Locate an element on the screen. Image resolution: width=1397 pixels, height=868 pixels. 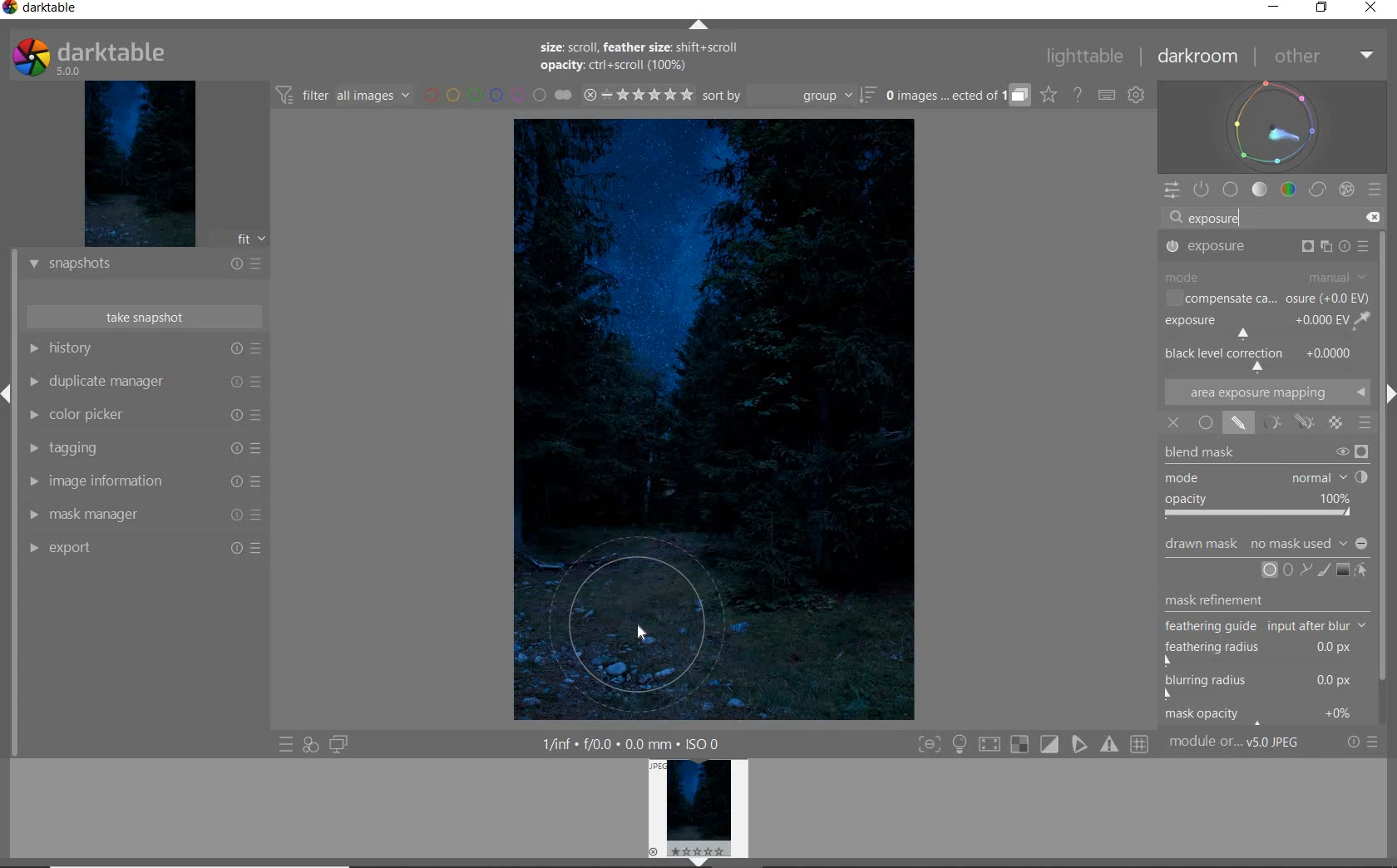
COMPENSATE CA...OSURE is located at coordinates (1266, 298).